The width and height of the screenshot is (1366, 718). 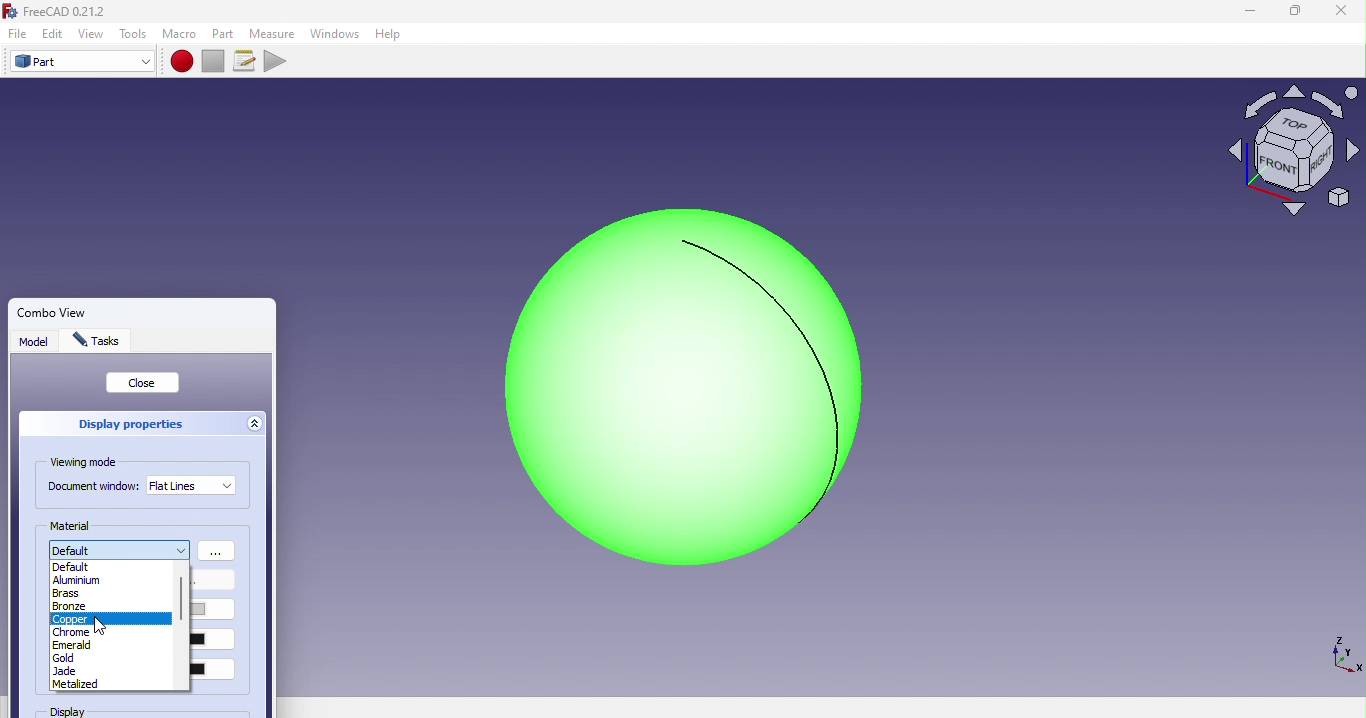 I want to click on Edit, so click(x=53, y=33).